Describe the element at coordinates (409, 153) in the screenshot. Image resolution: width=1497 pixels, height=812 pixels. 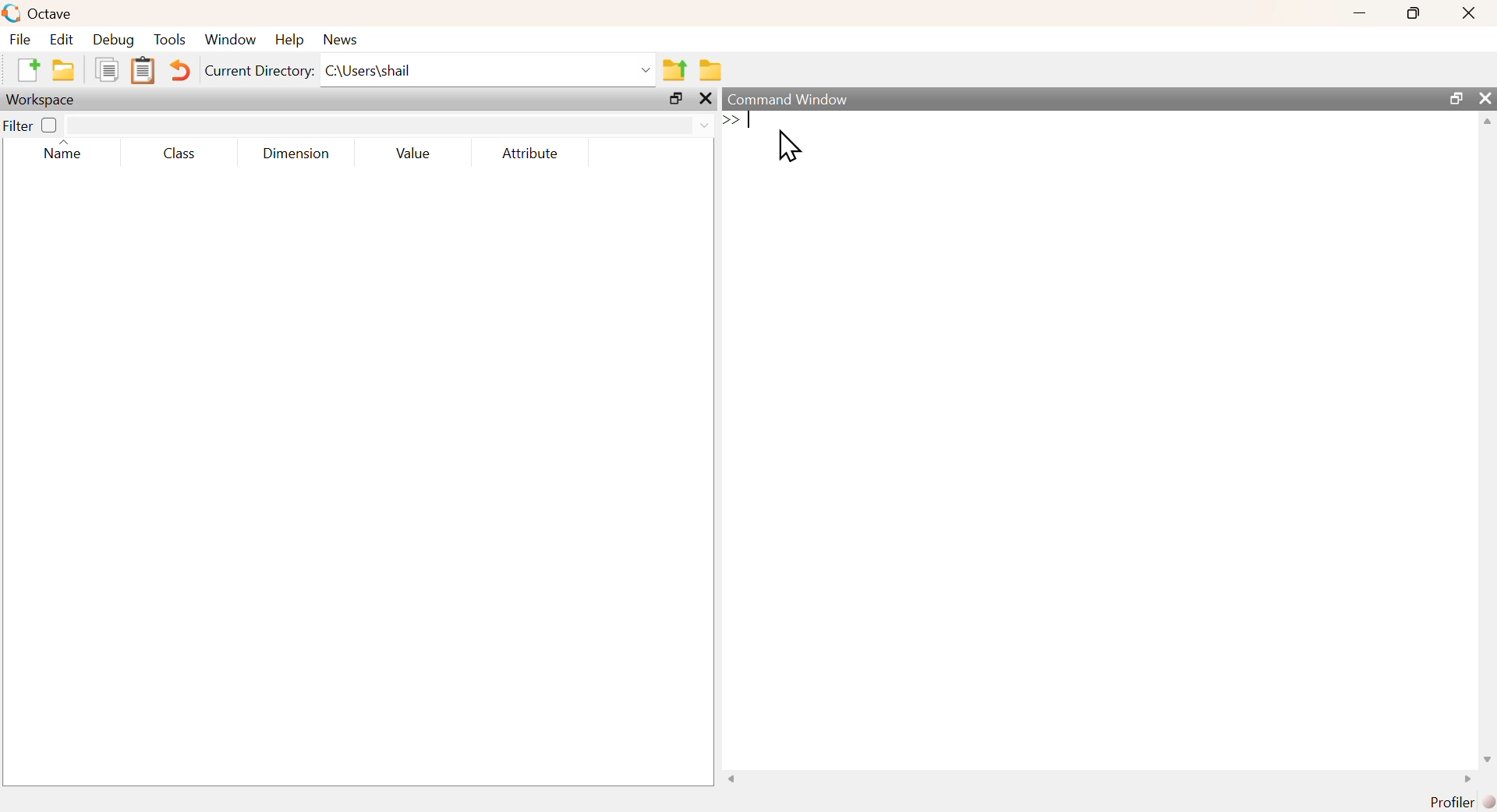
I see `Value` at that location.